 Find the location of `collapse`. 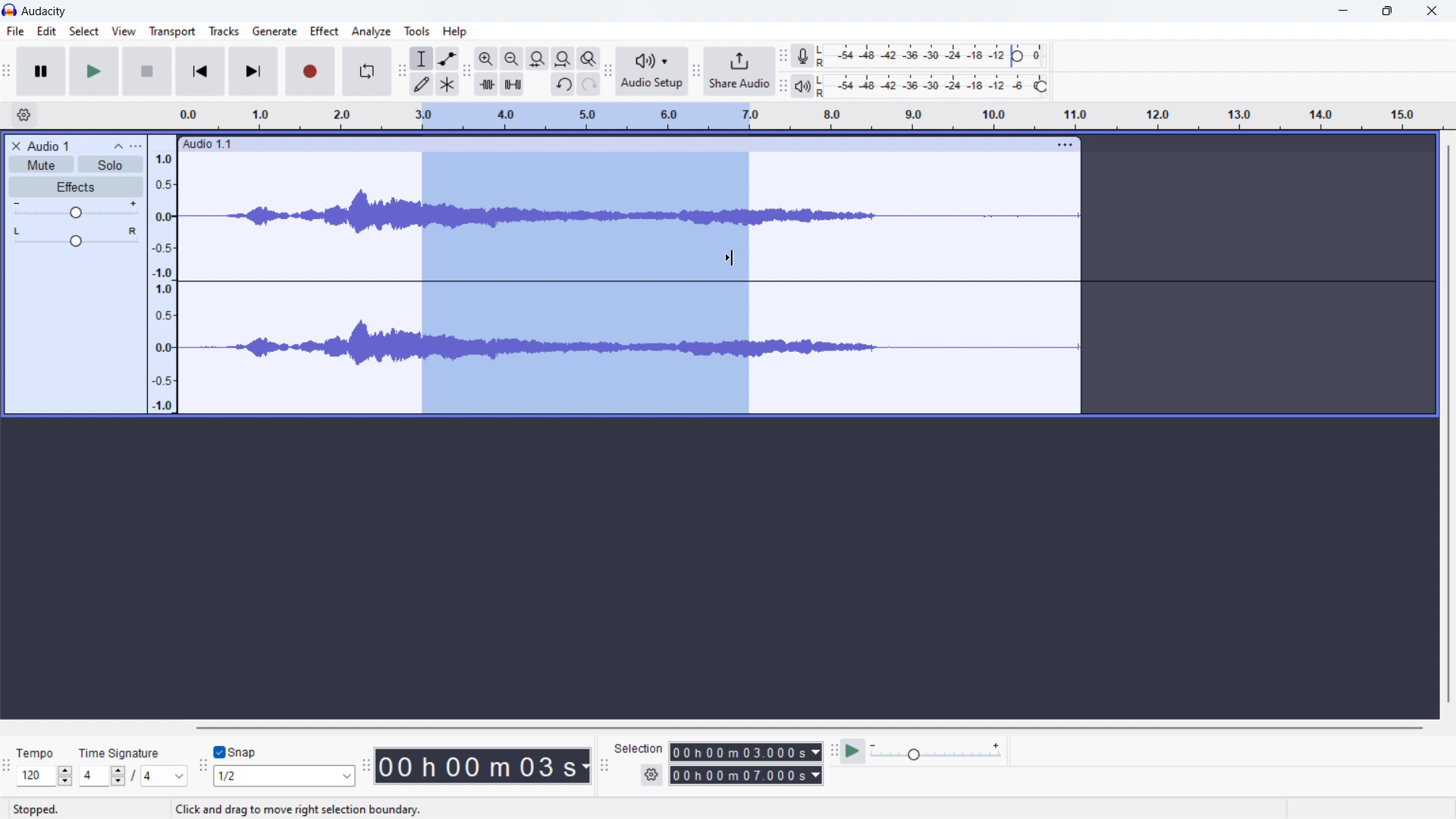

collapse is located at coordinates (118, 145).